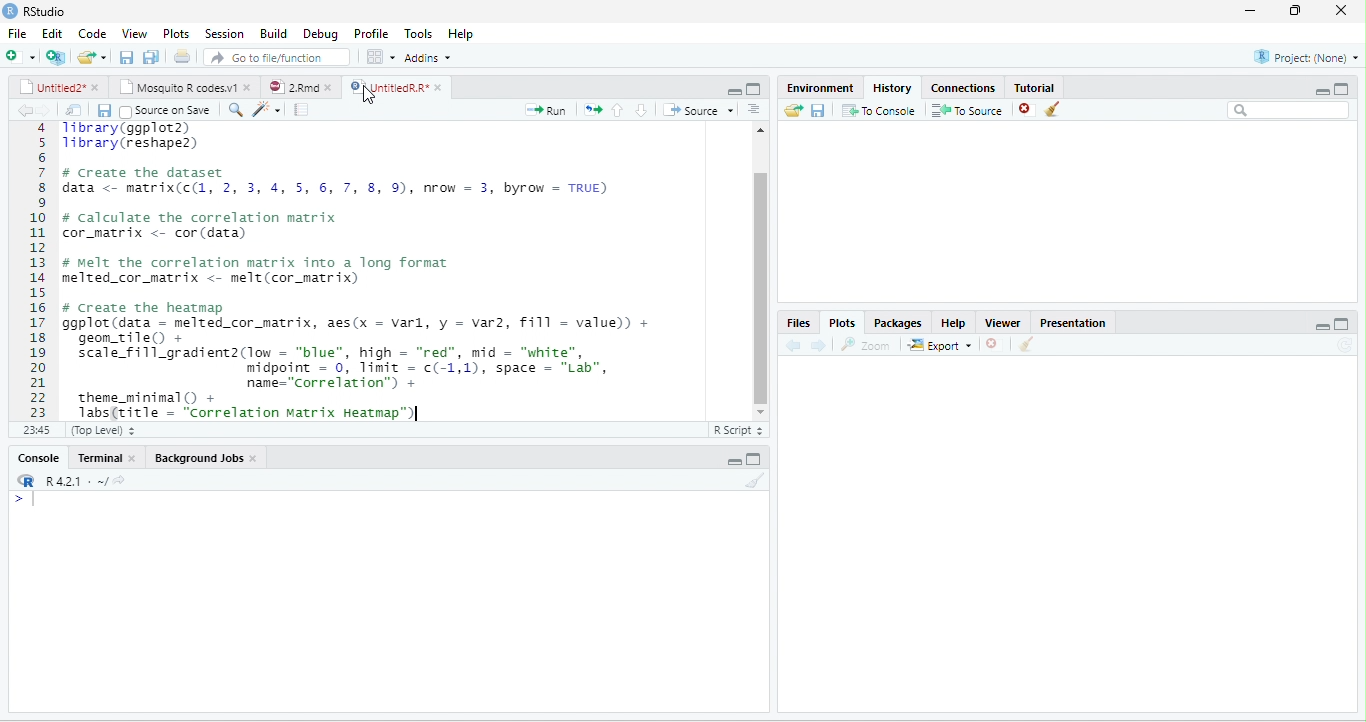 This screenshot has width=1366, height=722. What do you see at coordinates (1028, 346) in the screenshot?
I see `CLEAN` at bounding box center [1028, 346].